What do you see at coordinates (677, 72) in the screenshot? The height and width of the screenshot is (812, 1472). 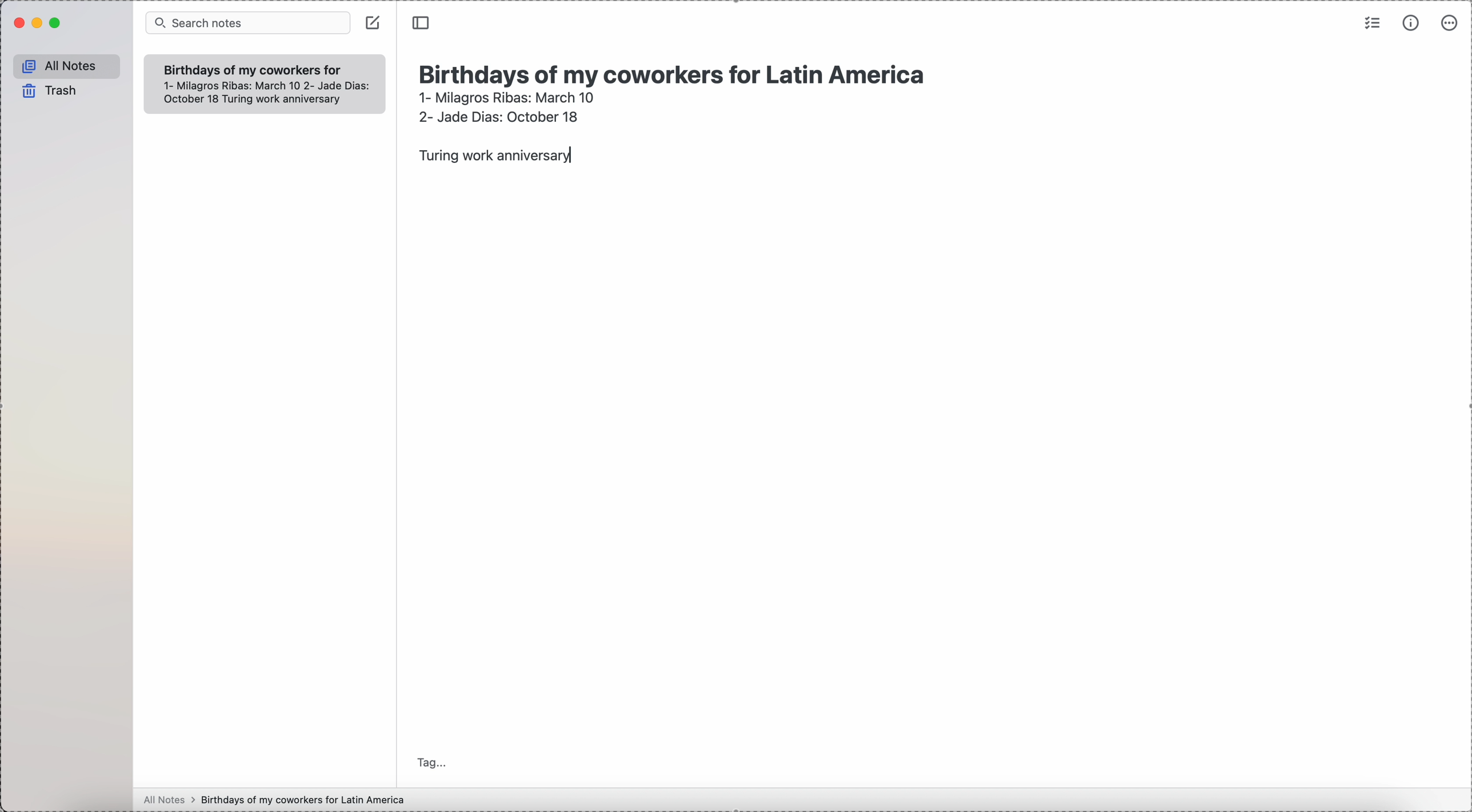 I see `Birthdays of my coworkers for Latin America` at bounding box center [677, 72].